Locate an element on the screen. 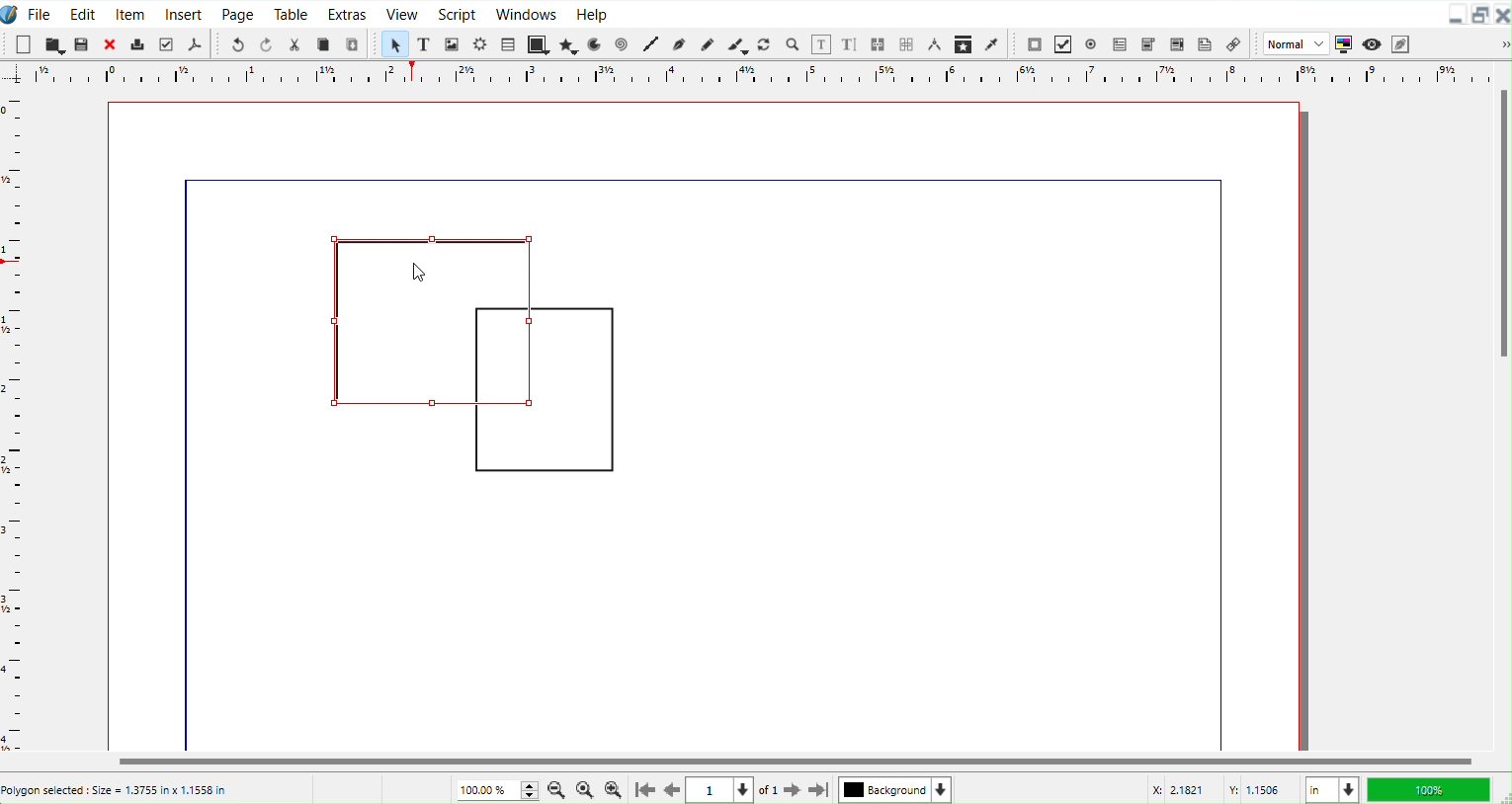 The width and height of the screenshot is (1512, 804). New is located at coordinates (23, 43).